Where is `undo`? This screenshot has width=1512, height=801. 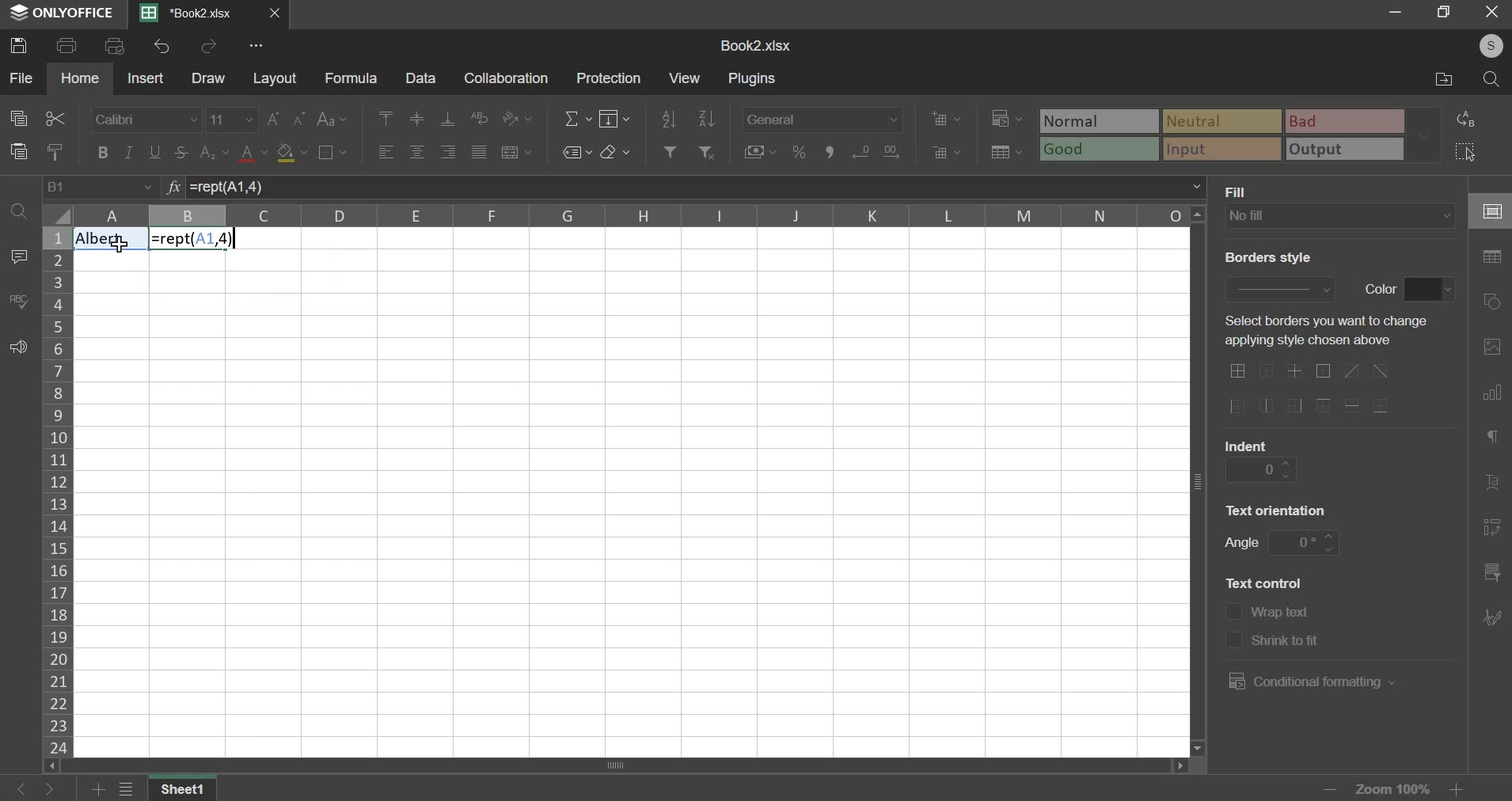 undo is located at coordinates (164, 46).